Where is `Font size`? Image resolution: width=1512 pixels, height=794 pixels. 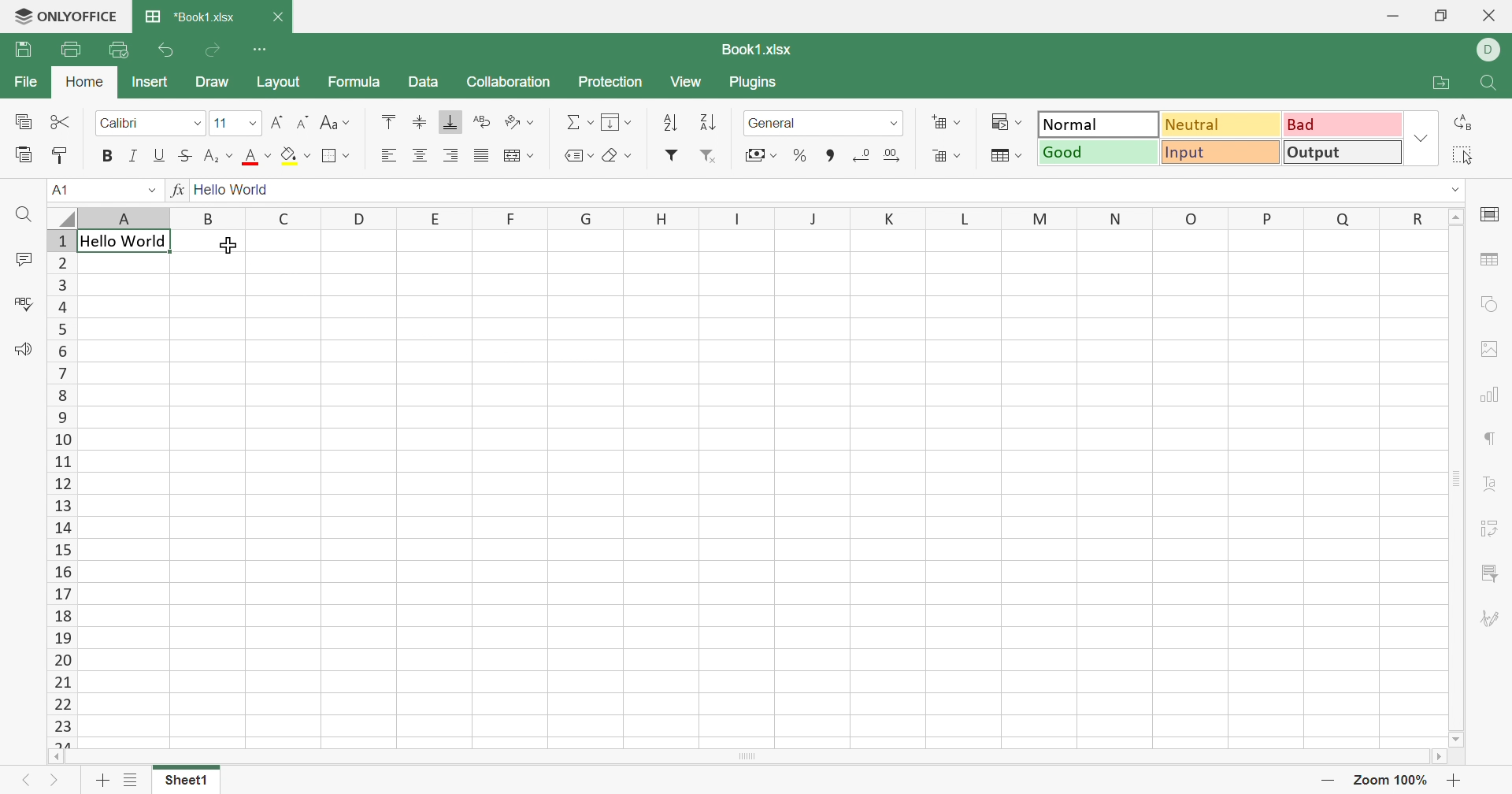
Font size is located at coordinates (236, 123).